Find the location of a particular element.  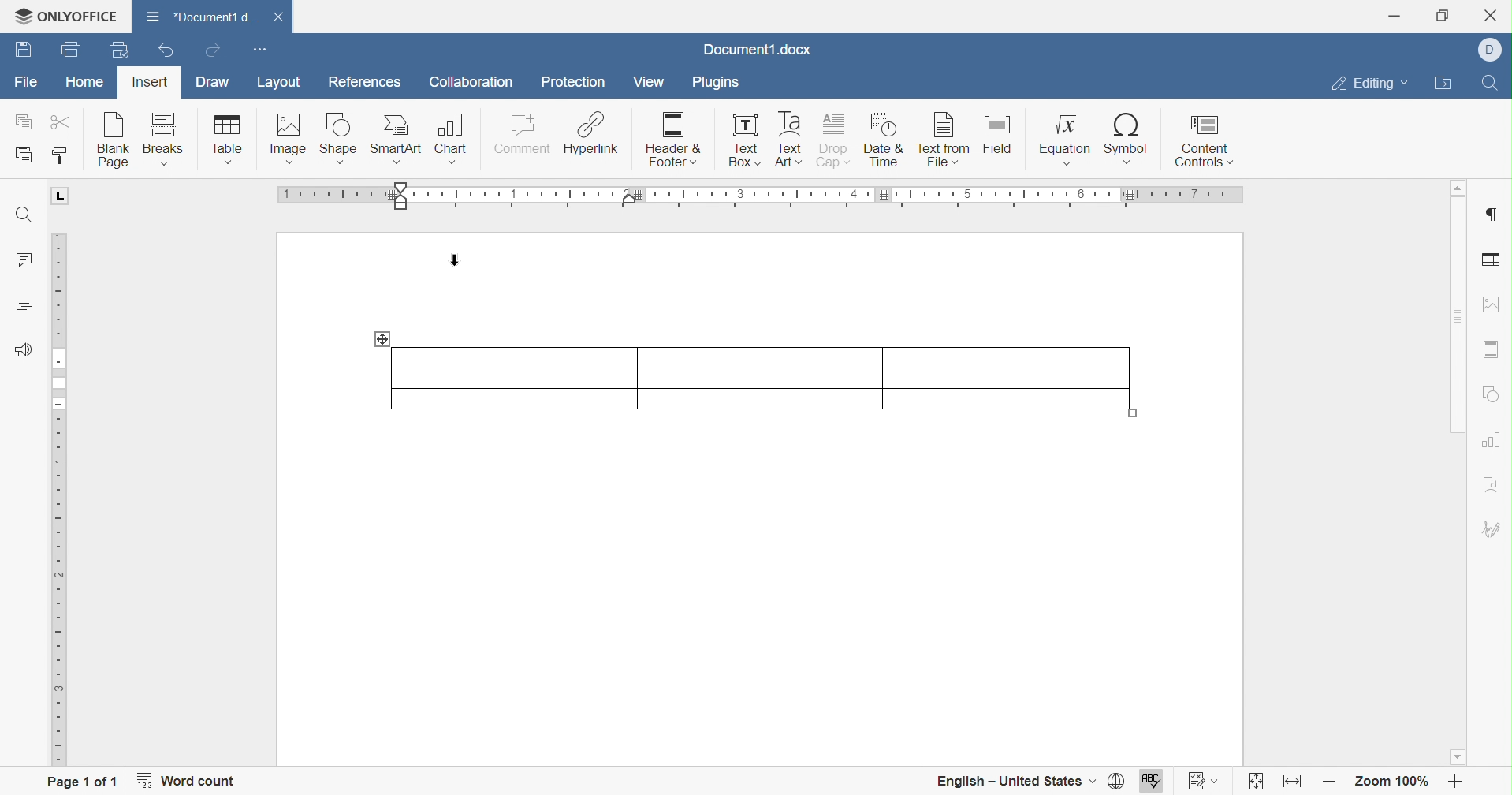

Headings is located at coordinates (26, 305).